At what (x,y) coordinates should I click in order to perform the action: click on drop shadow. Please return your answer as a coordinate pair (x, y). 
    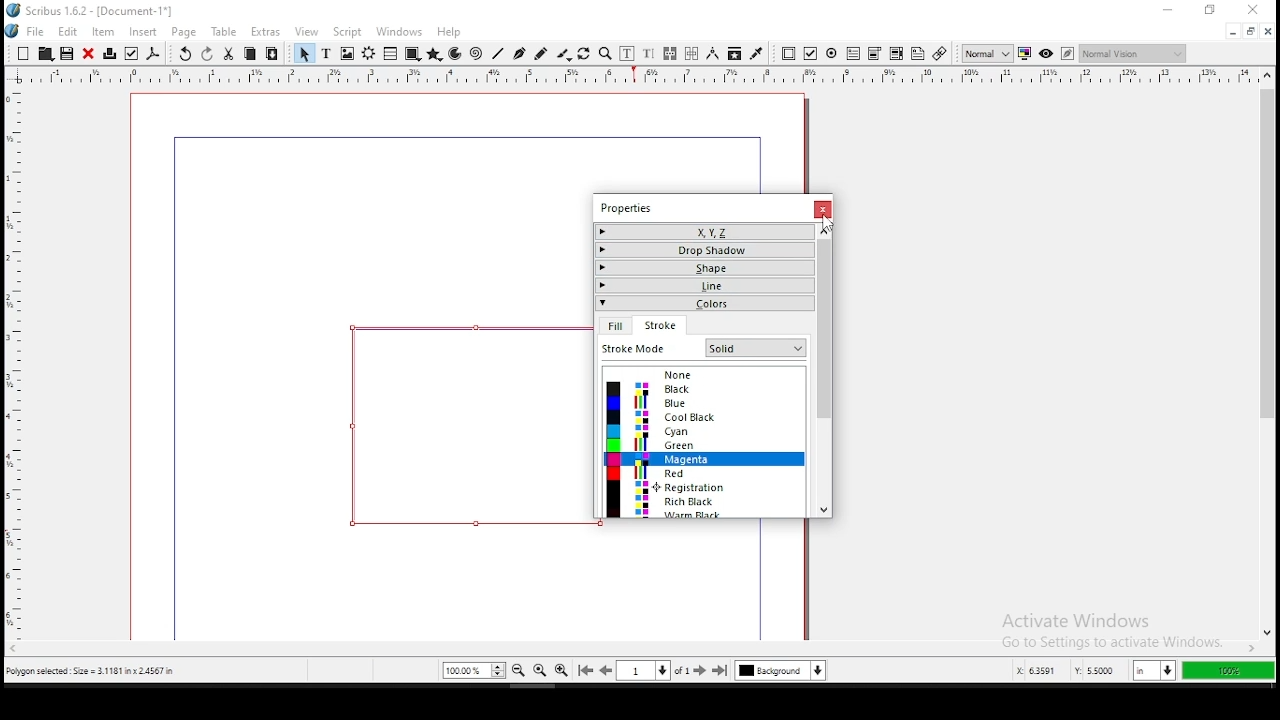
    Looking at the image, I should click on (703, 250).